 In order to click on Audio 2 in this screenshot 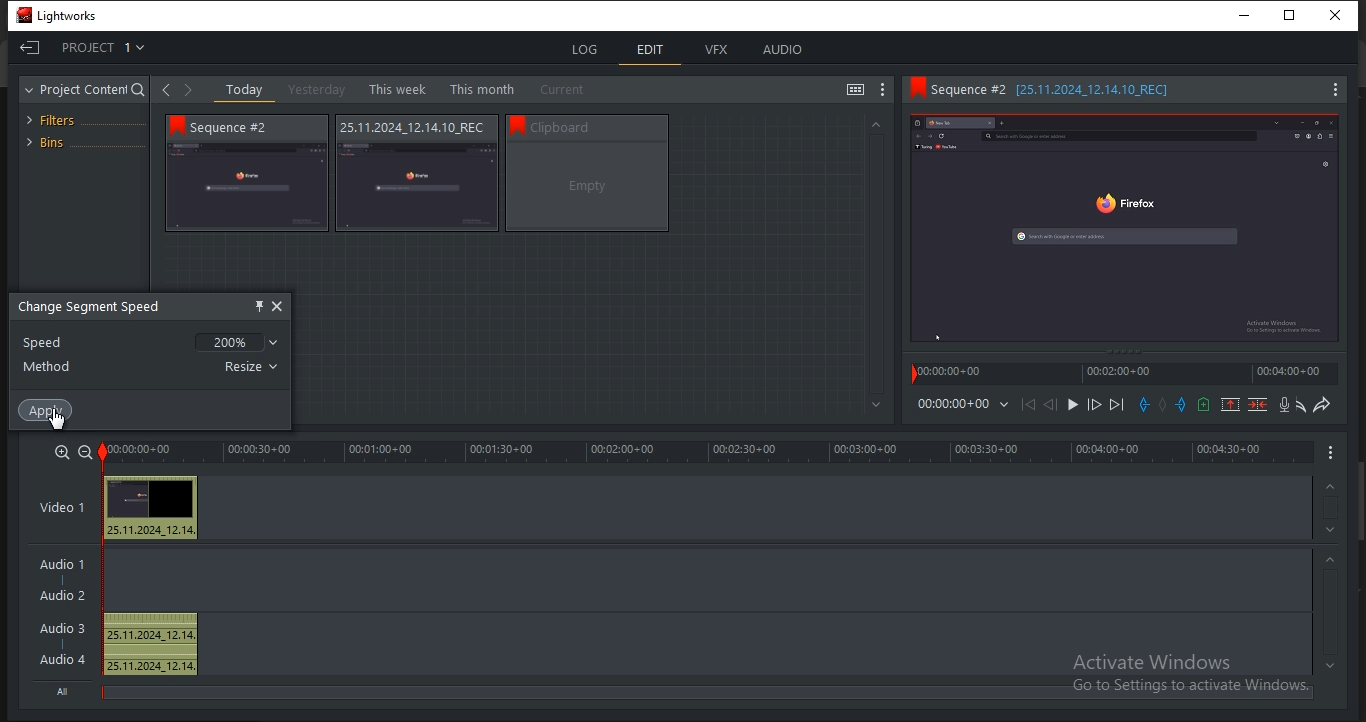, I will do `click(62, 597)`.